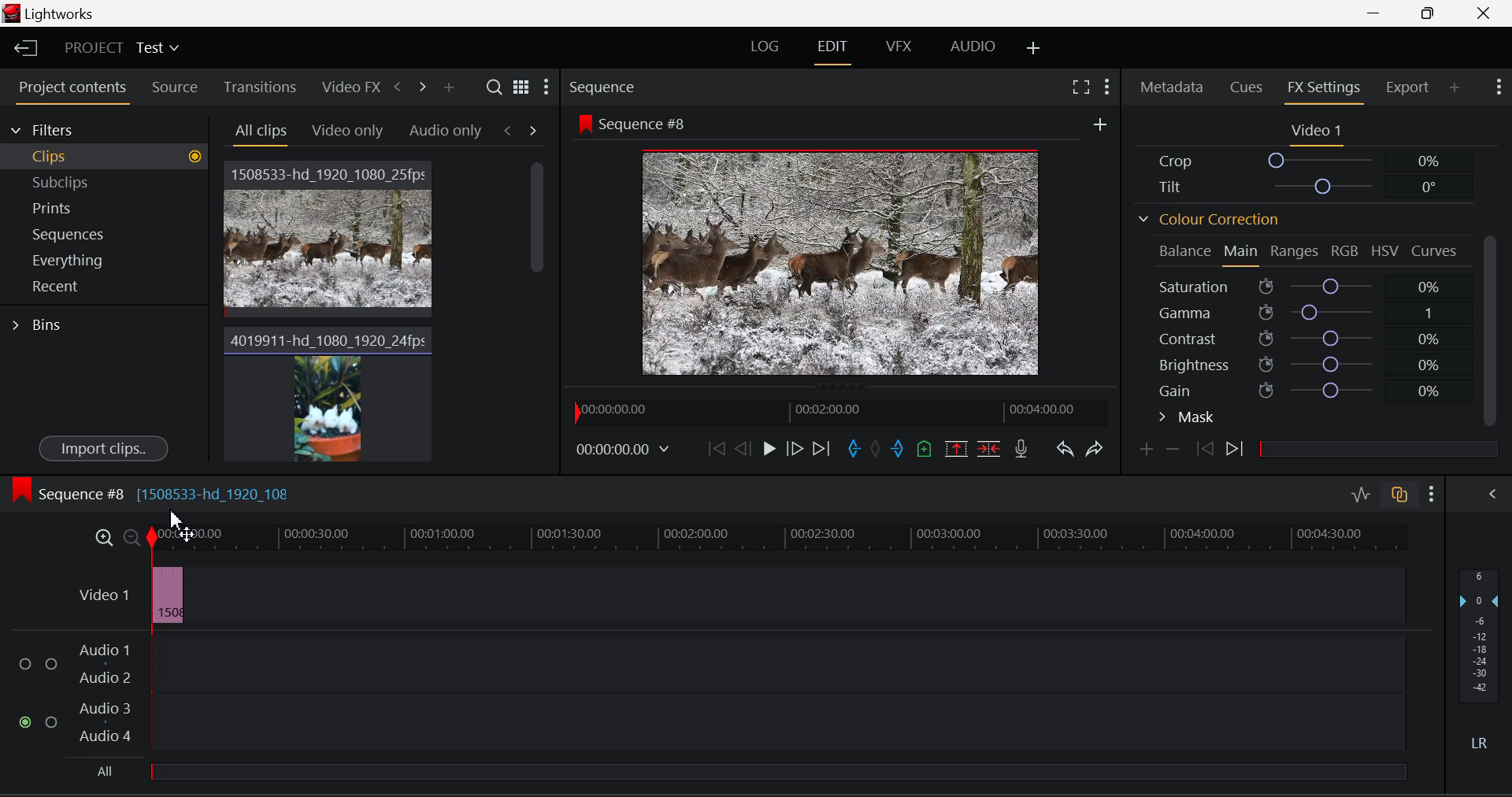 Image resolution: width=1512 pixels, height=797 pixels. I want to click on Previous keyframe, so click(1202, 450).